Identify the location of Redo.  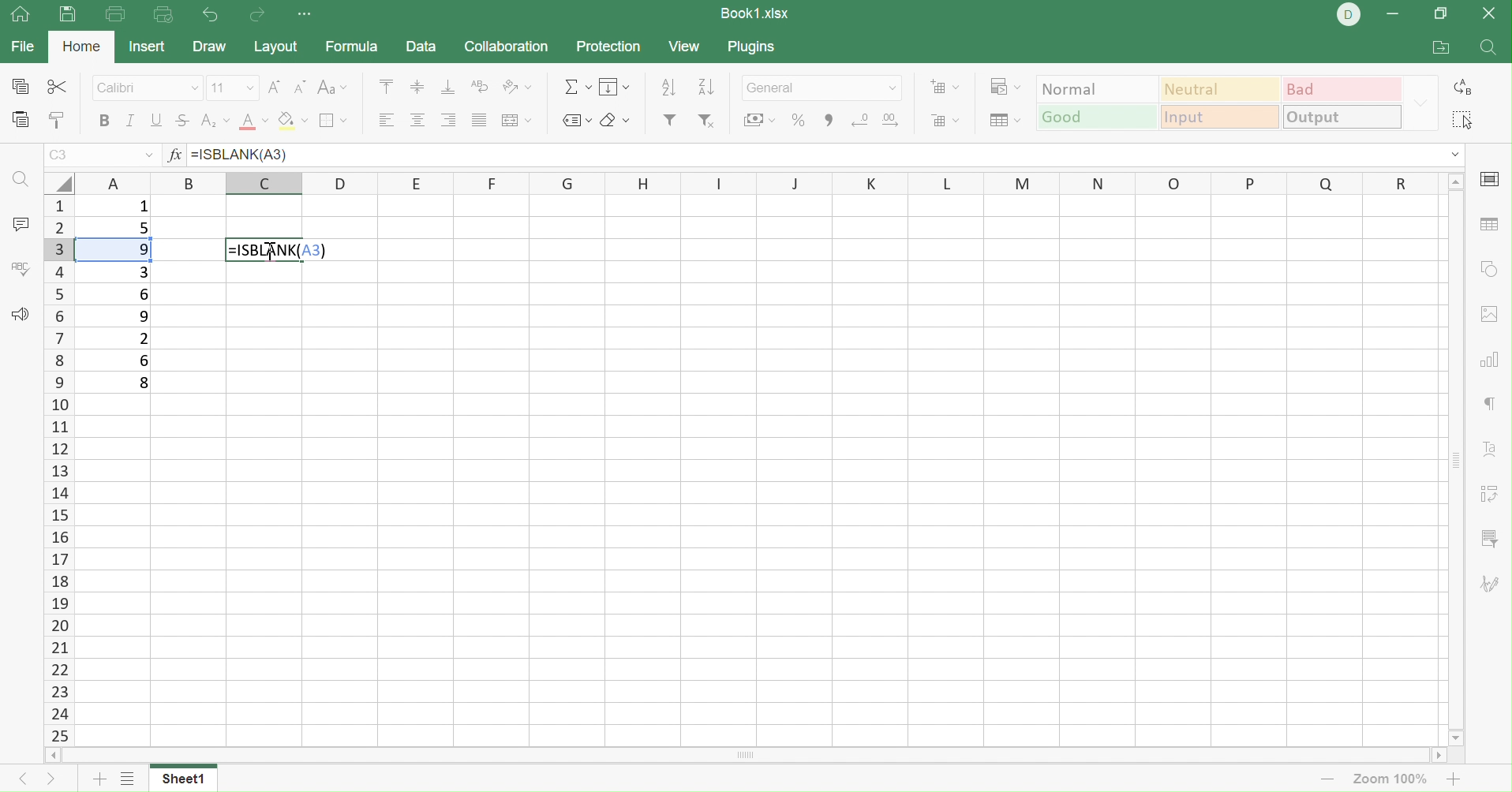
(259, 15).